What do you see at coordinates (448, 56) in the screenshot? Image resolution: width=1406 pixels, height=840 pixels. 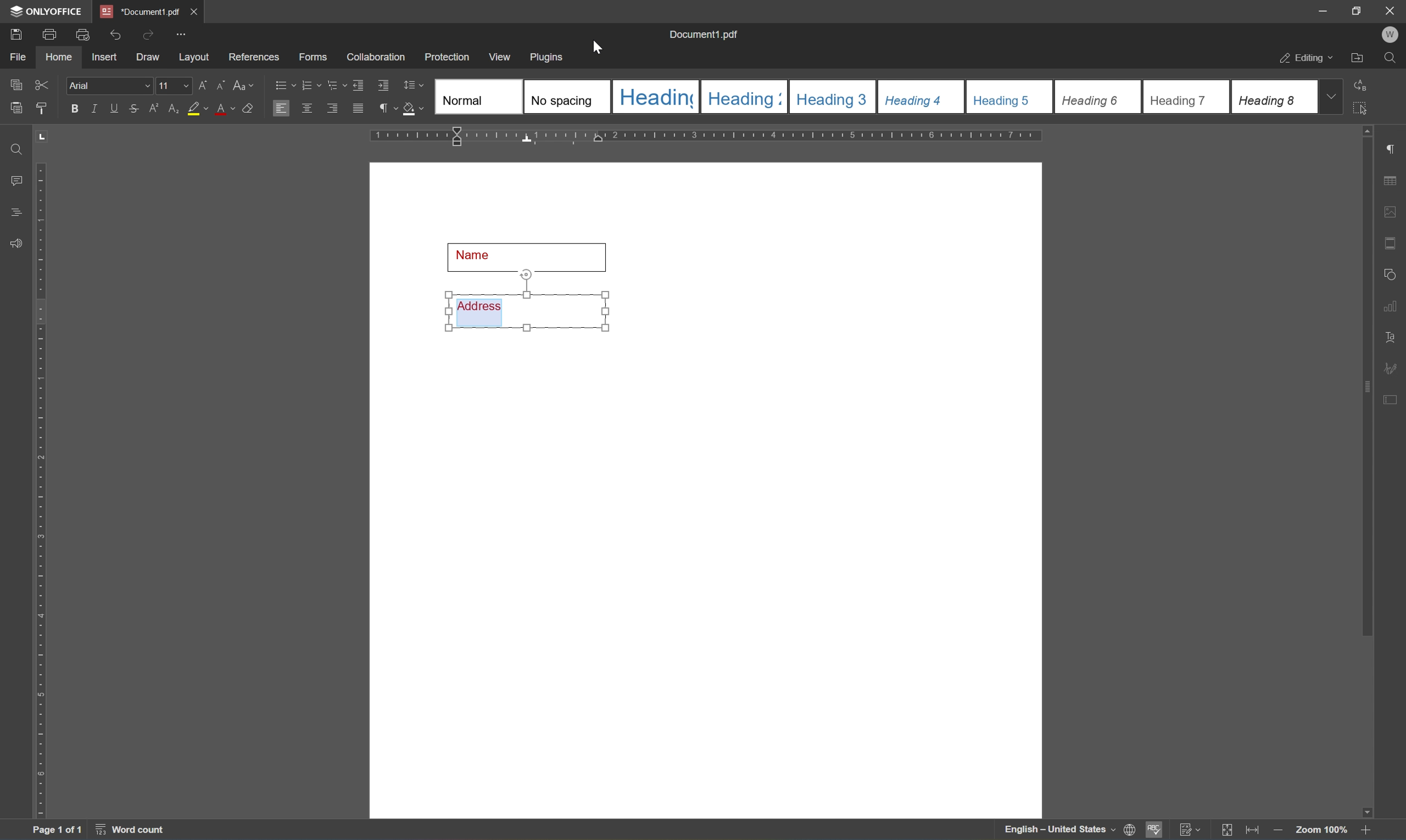 I see `protection` at bounding box center [448, 56].